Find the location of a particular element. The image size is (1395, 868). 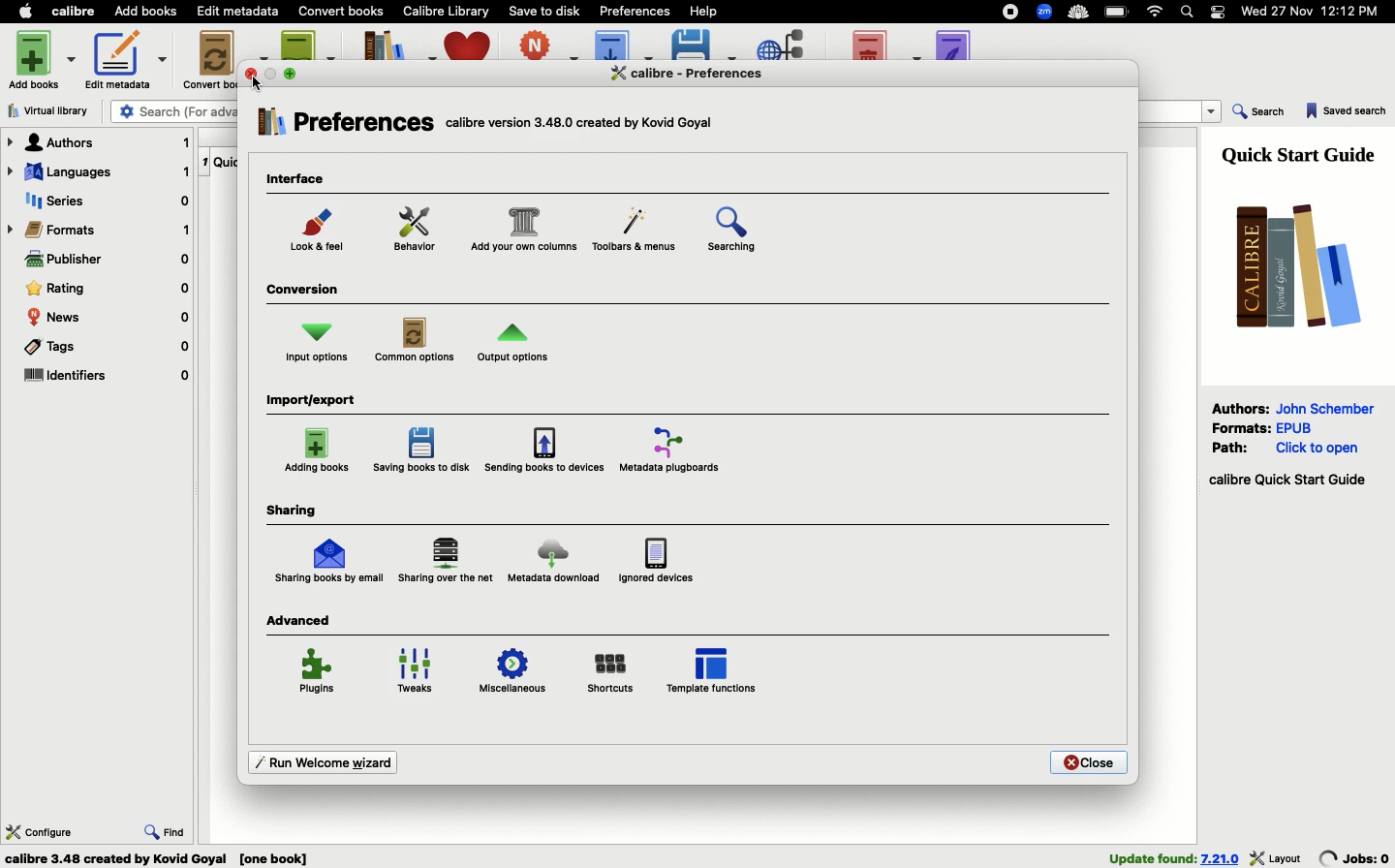

Notification is located at coordinates (1219, 12).